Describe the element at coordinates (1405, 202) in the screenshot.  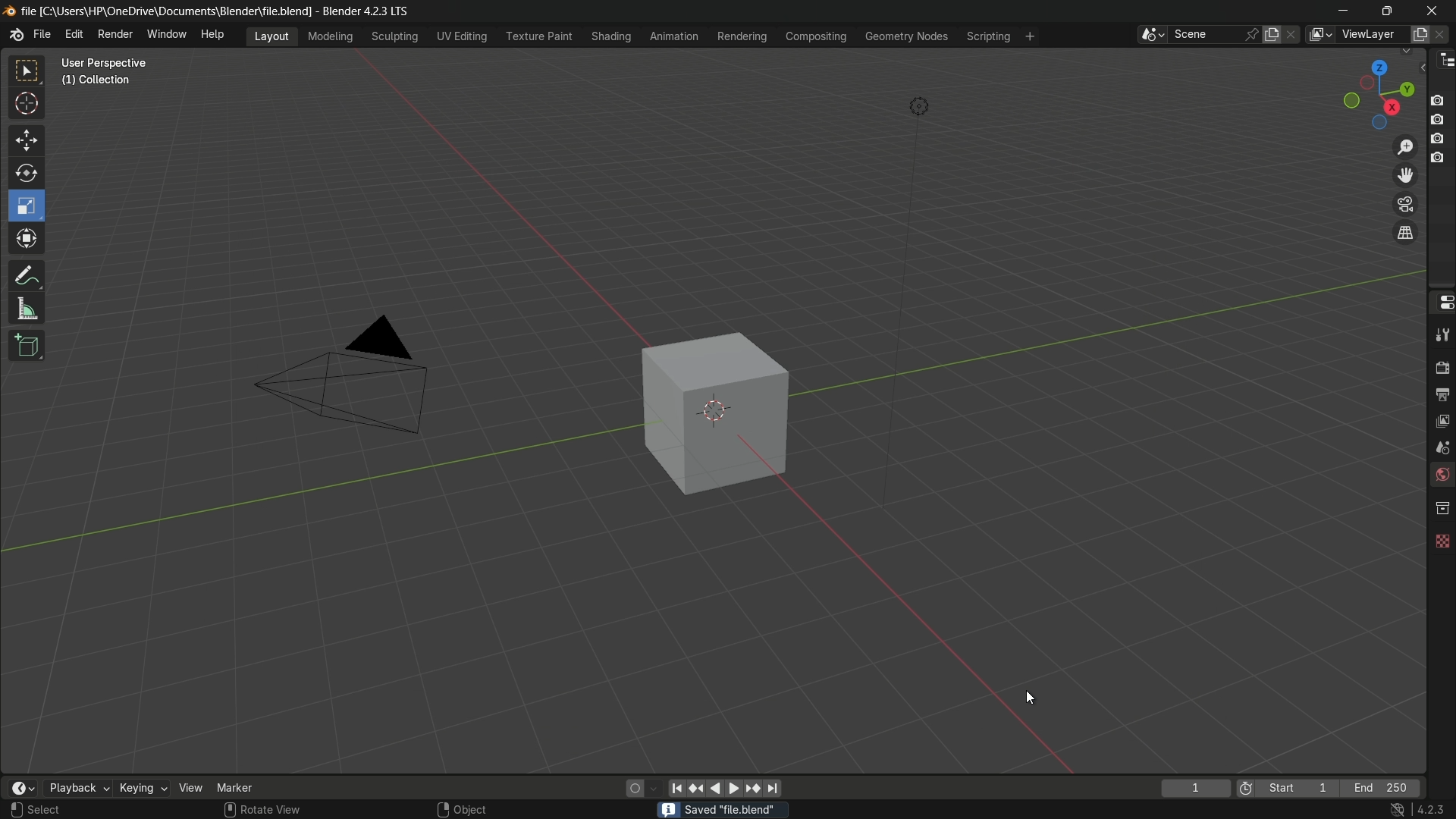
I see `toggle camera view layer` at that location.